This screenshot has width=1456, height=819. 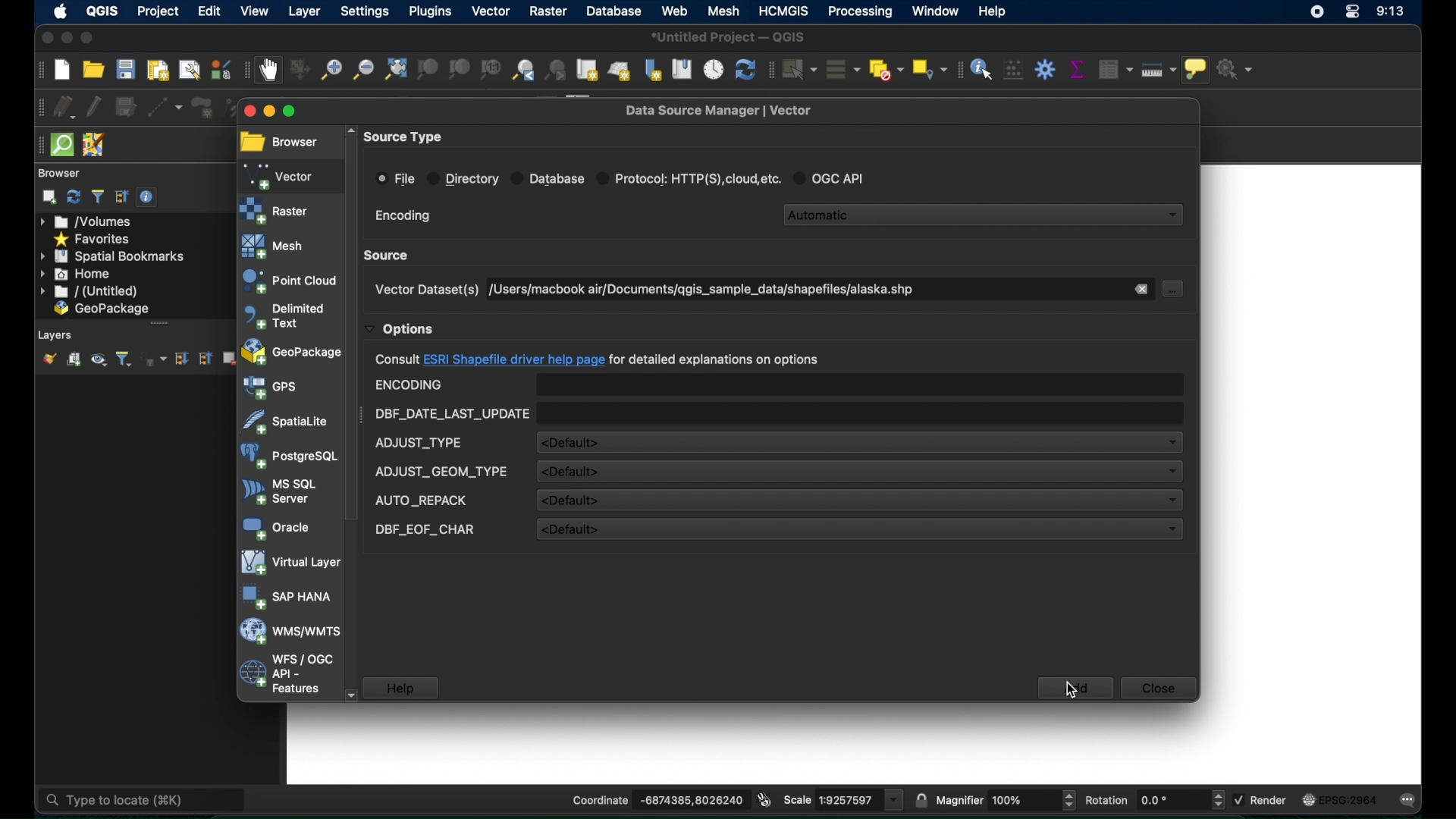 I want to click on filter legend, so click(x=126, y=359).